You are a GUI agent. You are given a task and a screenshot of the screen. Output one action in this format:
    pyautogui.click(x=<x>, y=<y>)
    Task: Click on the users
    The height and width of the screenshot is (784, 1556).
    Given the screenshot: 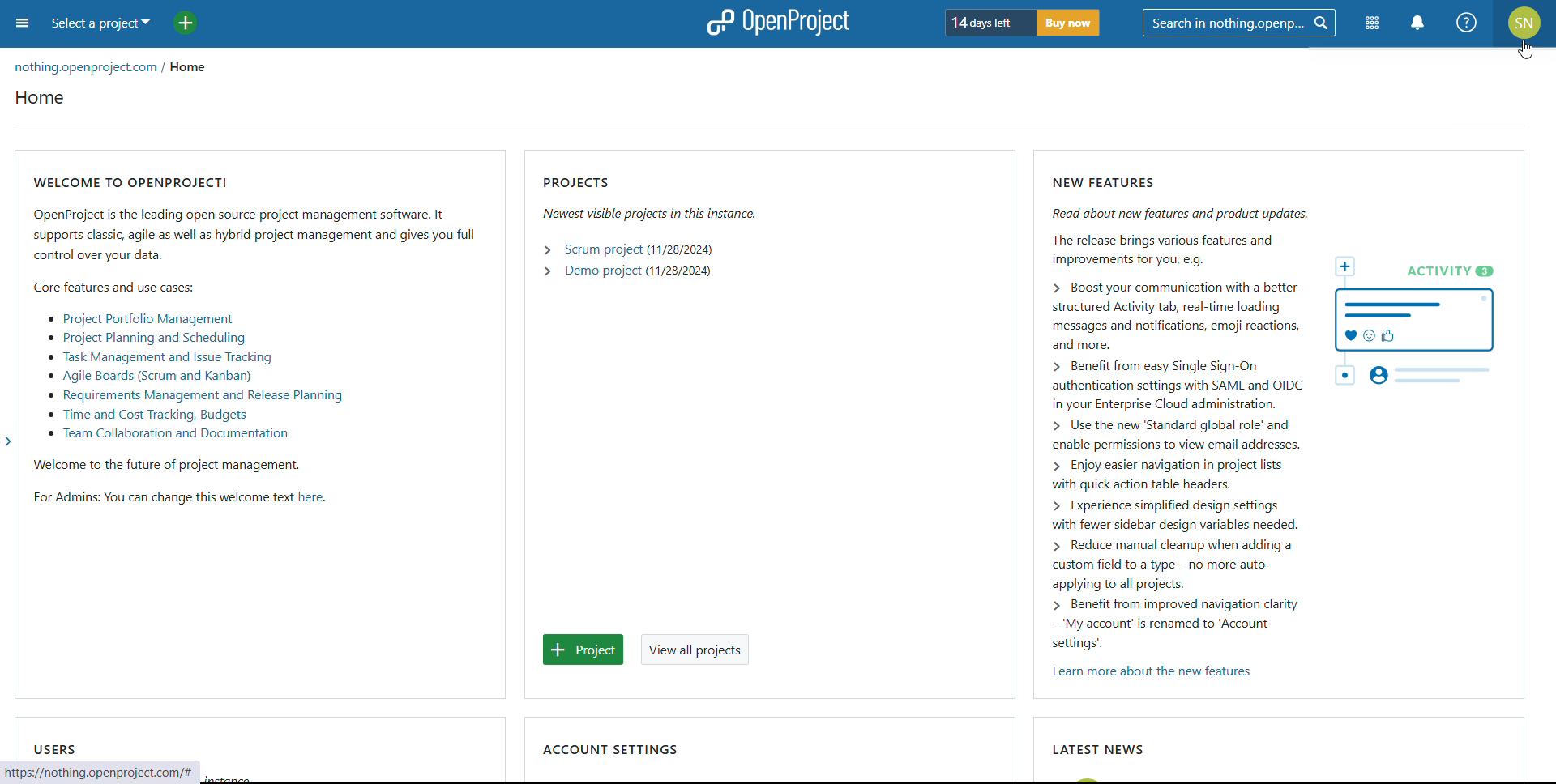 What is the action you would take?
    pyautogui.click(x=53, y=748)
    